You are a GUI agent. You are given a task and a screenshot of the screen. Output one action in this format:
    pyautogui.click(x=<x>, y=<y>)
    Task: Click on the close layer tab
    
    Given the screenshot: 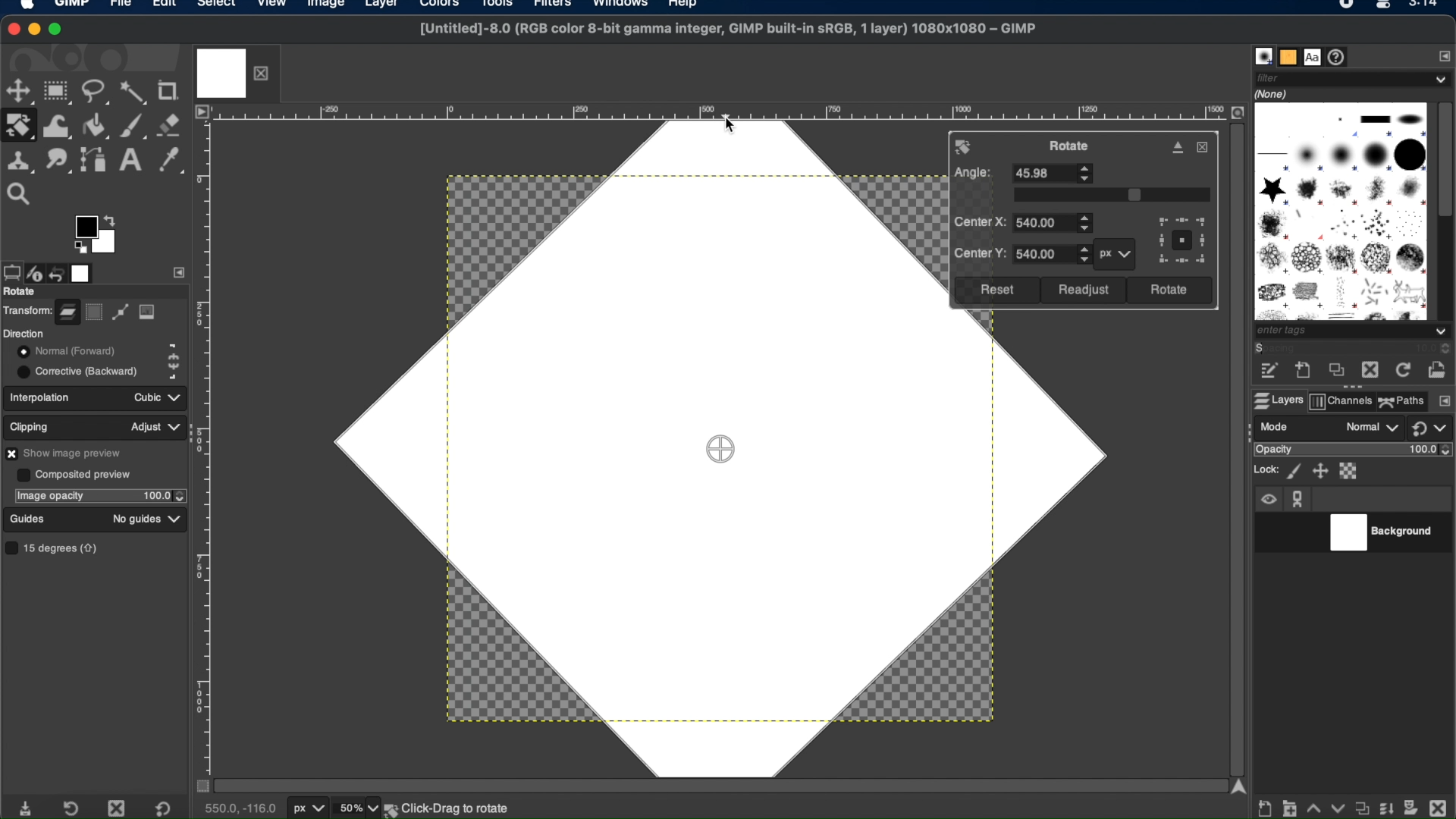 What is the action you would take?
    pyautogui.click(x=265, y=72)
    